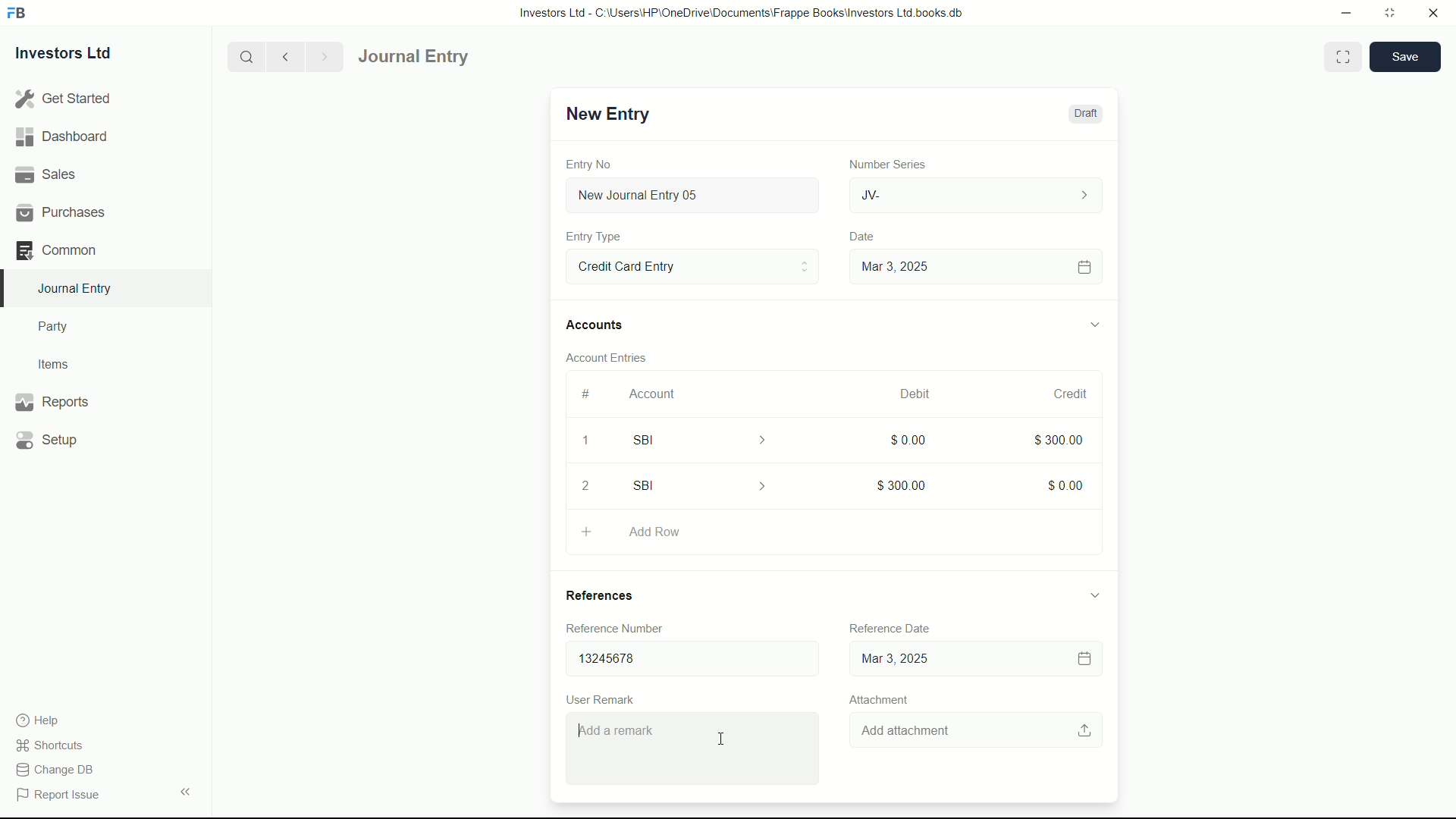 The width and height of the screenshot is (1456, 819). I want to click on Accounts, so click(598, 325).